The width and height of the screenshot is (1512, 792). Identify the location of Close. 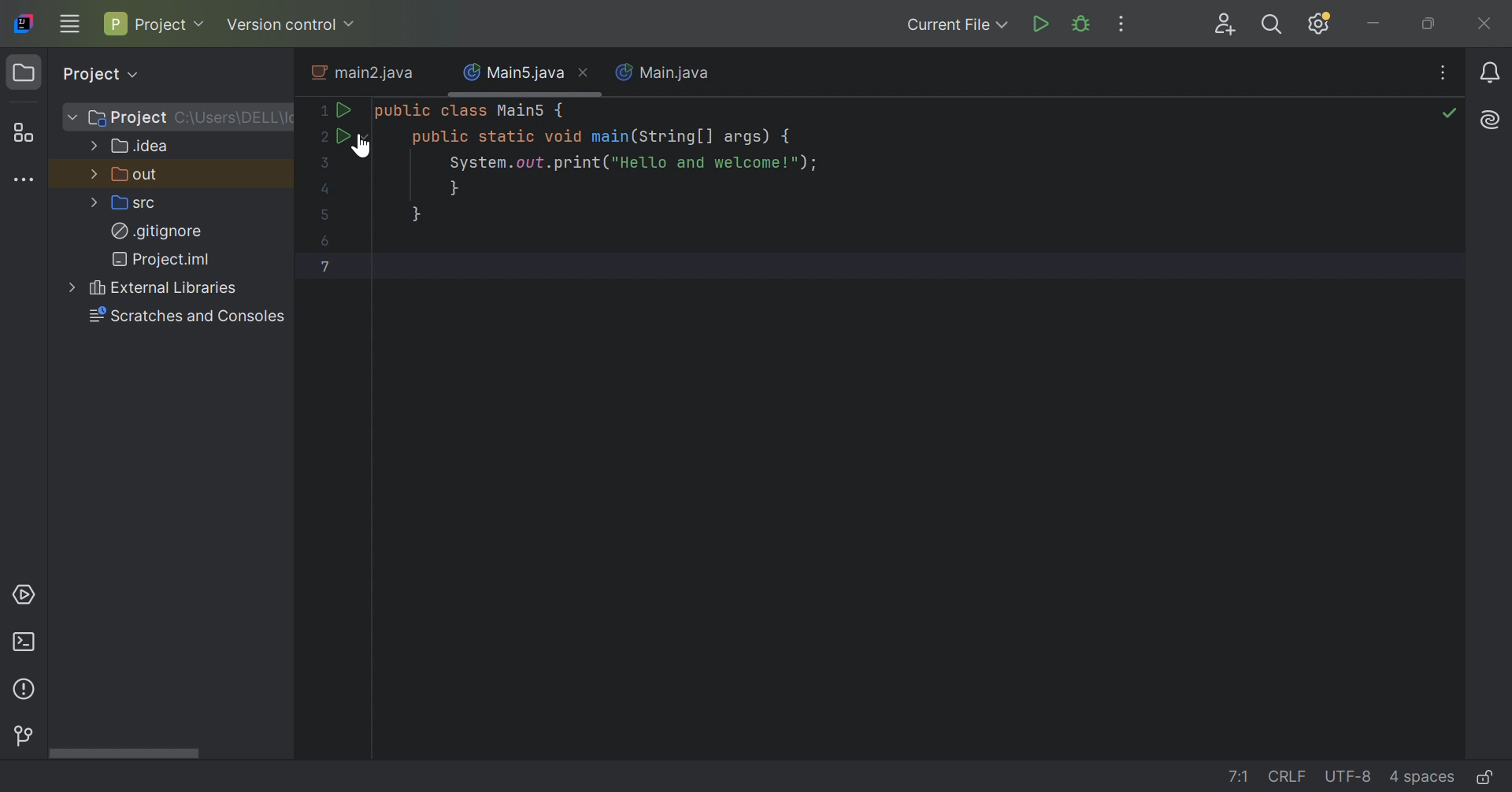
(1483, 23).